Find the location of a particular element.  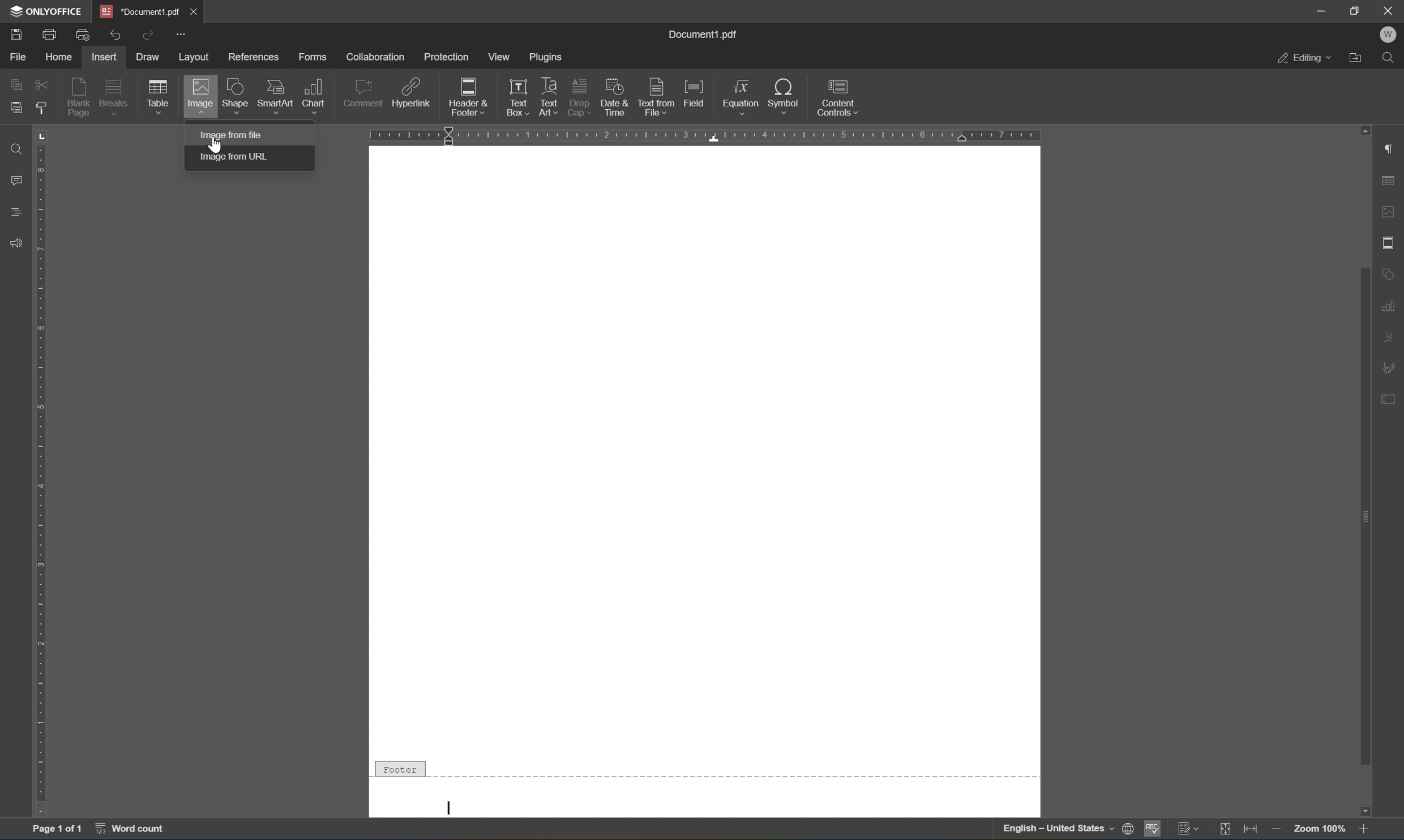

header & footer is located at coordinates (461, 98).